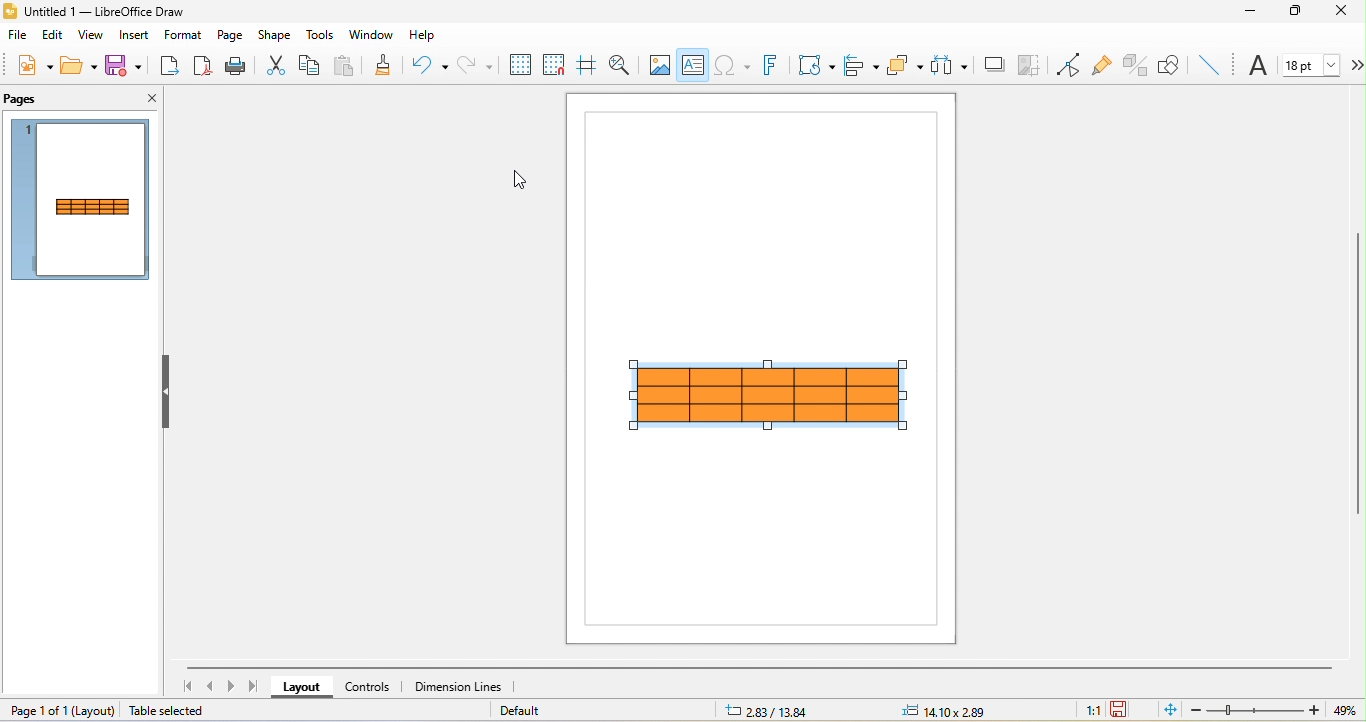 The height and width of the screenshot is (722, 1366). Describe the element at coordinates (123, 65) in the screenshot. I see `save` at that location.